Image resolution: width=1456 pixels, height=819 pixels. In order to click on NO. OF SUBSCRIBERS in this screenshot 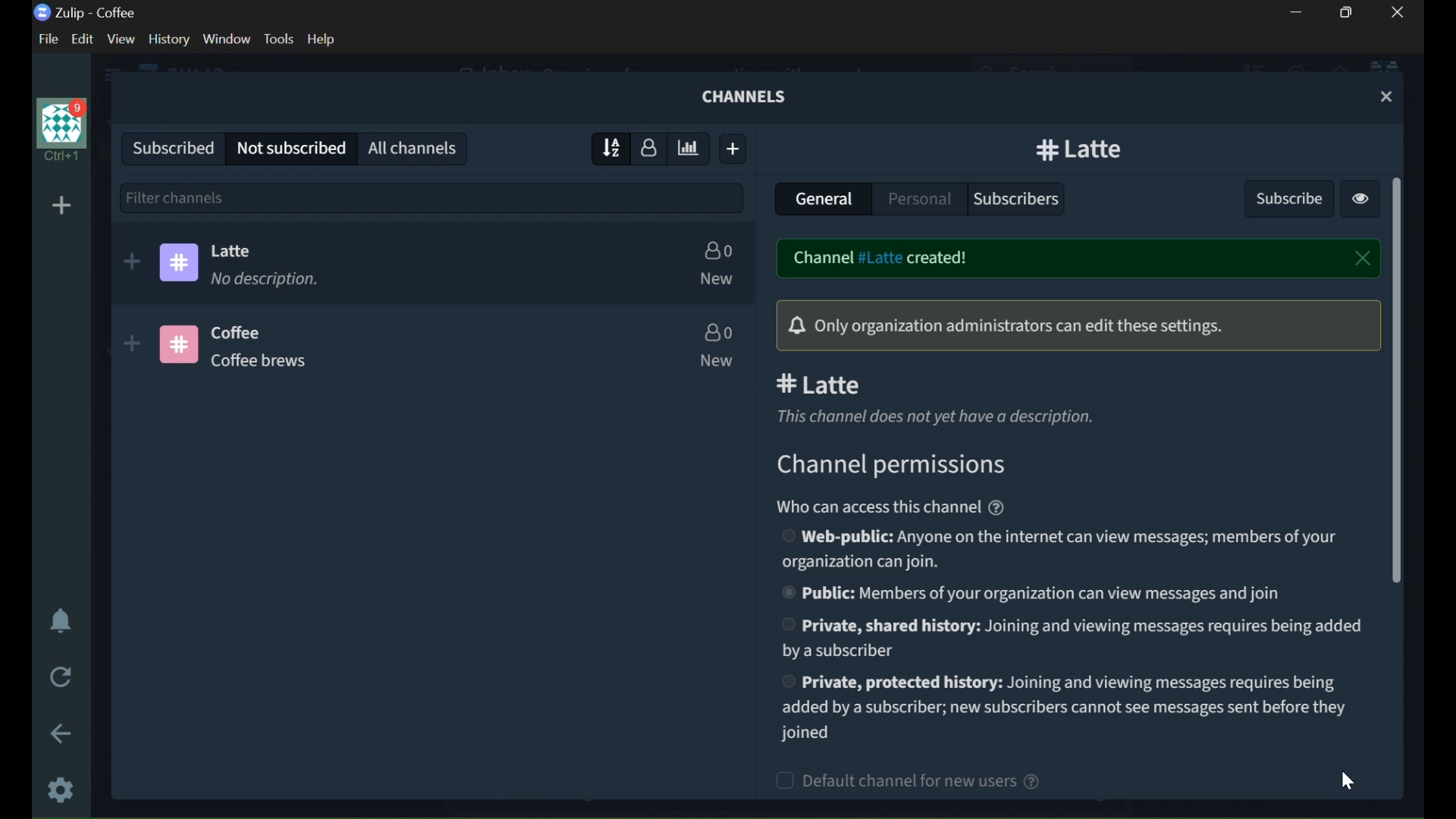, I will do `click(718, 249)`.